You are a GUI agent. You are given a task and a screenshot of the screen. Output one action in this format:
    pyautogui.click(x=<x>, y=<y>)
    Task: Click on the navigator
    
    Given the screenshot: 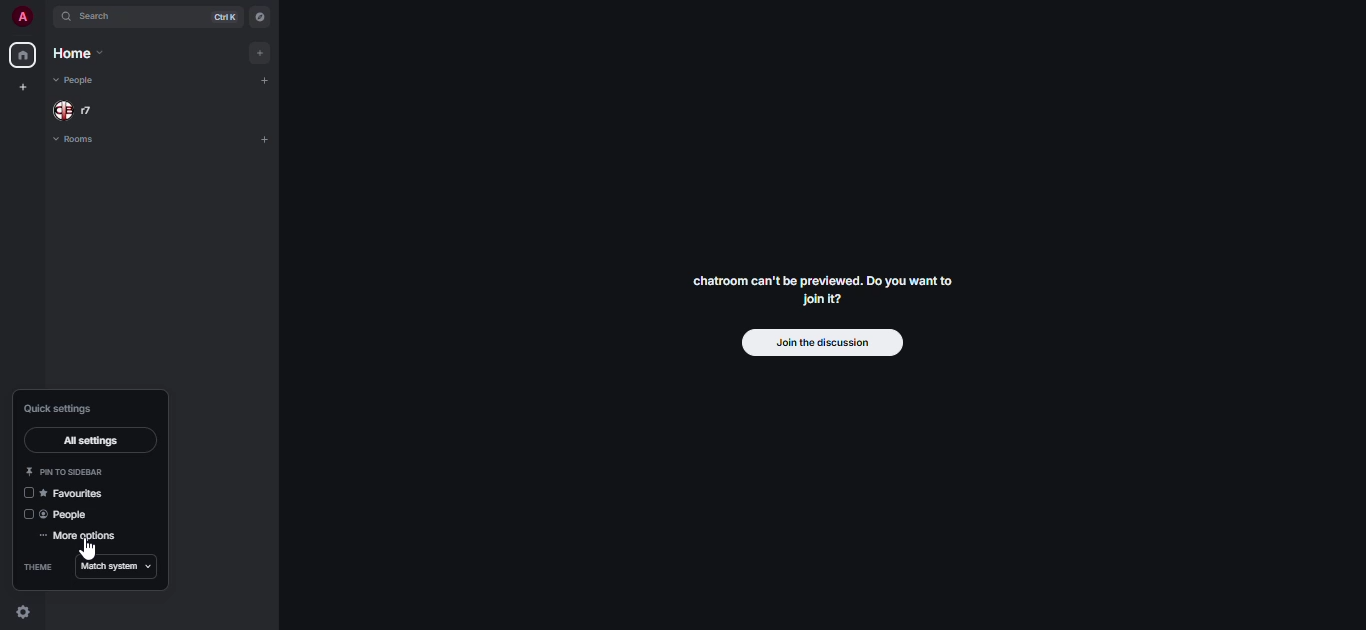 What is the action you would take?
    pyautogui.click(x=262, y=15)
    